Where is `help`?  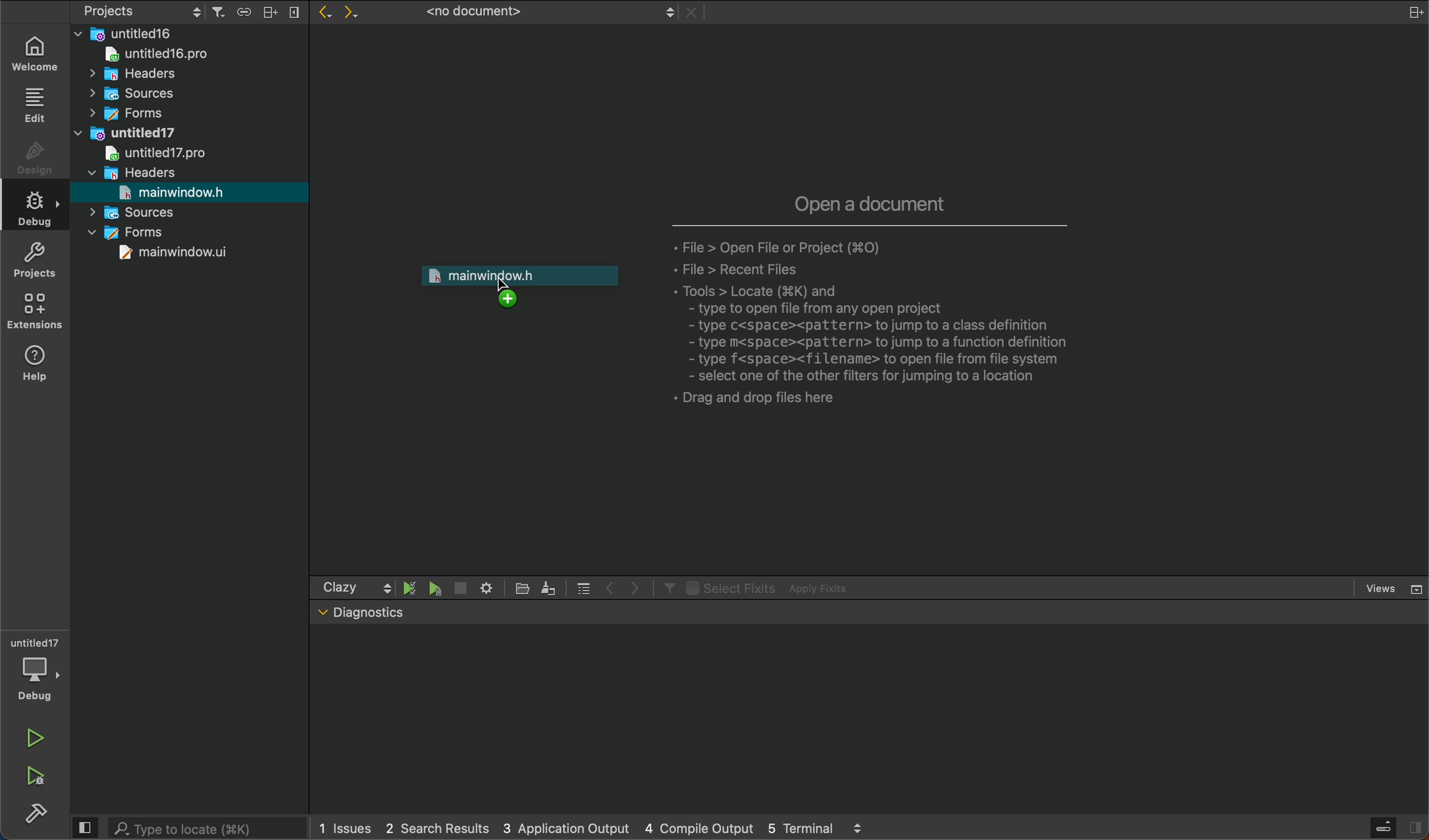 help is located at coordinates (43, 369).